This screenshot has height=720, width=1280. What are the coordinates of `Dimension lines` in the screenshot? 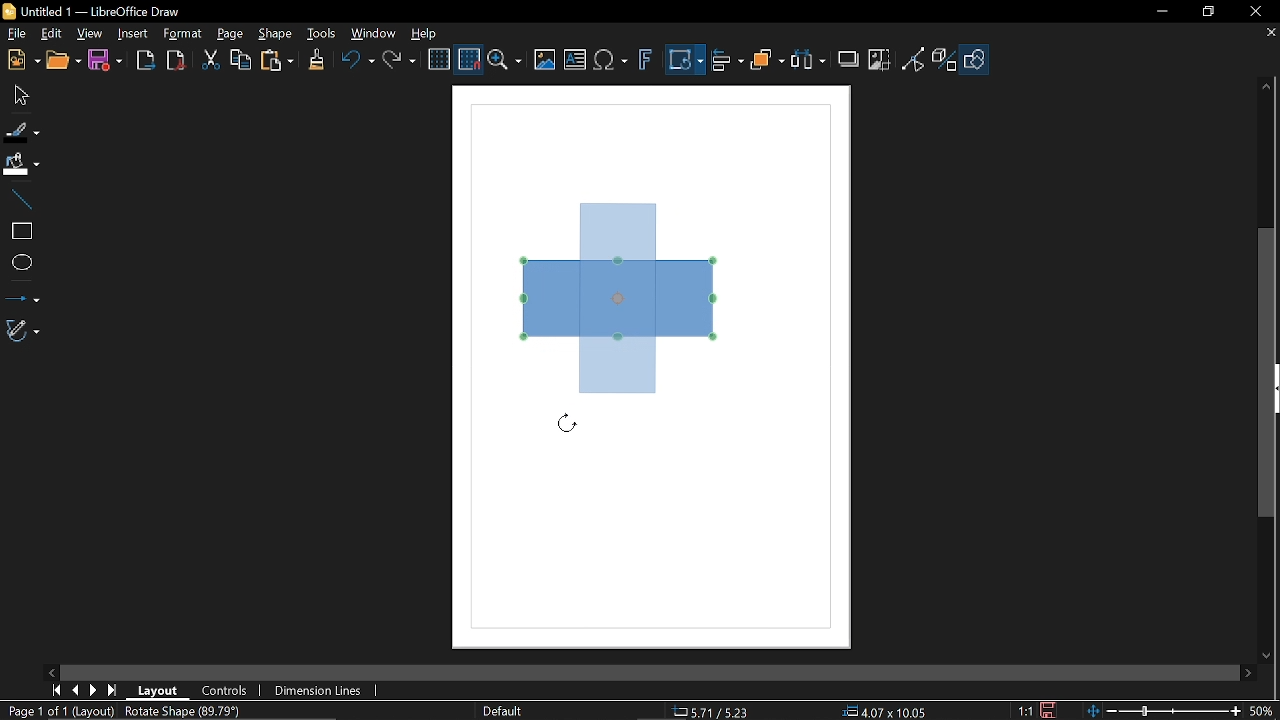 It's located at (322, 692).